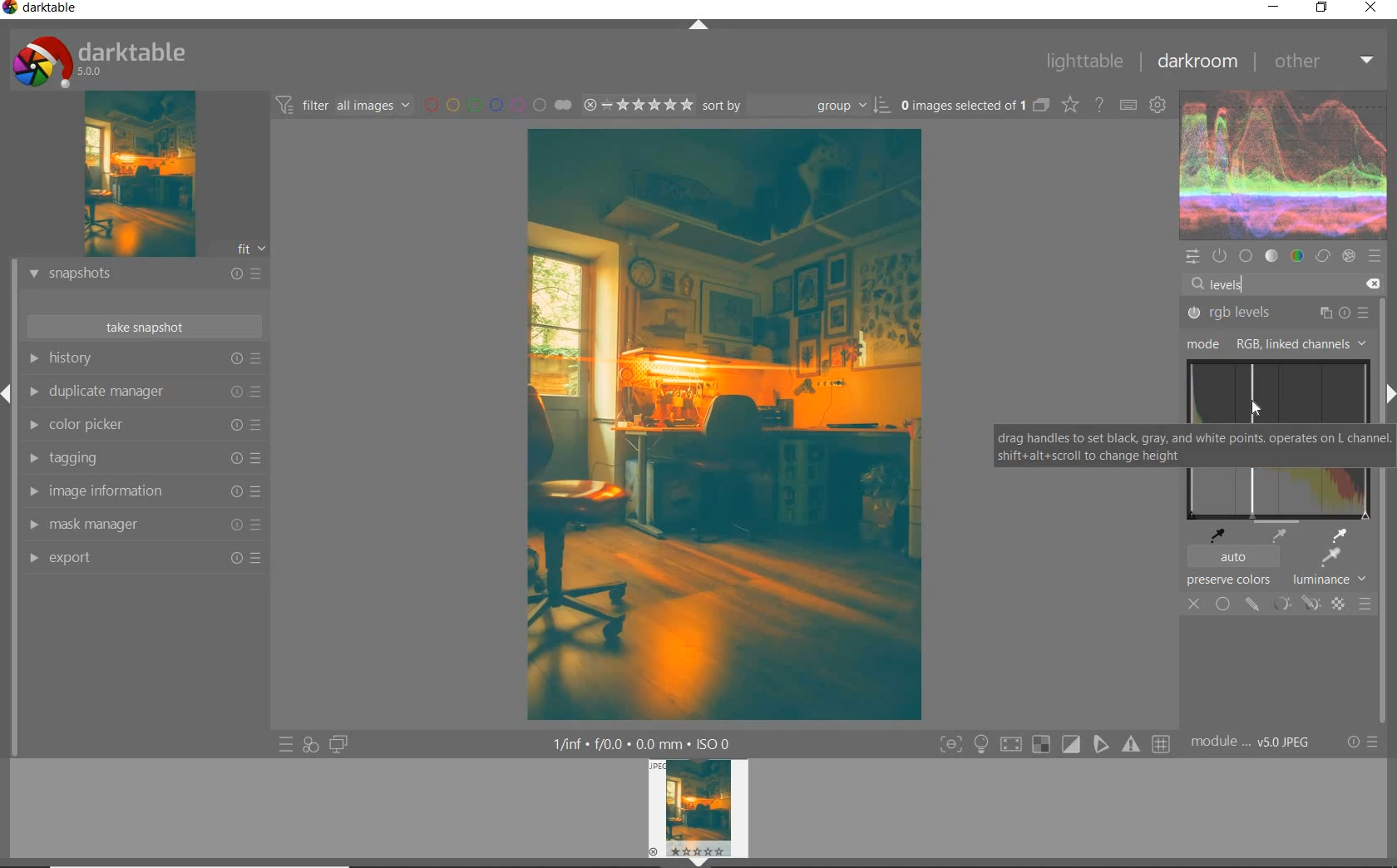 This screenshot has width=1397, height=868. I want to click on color picker, so click(141, 424).